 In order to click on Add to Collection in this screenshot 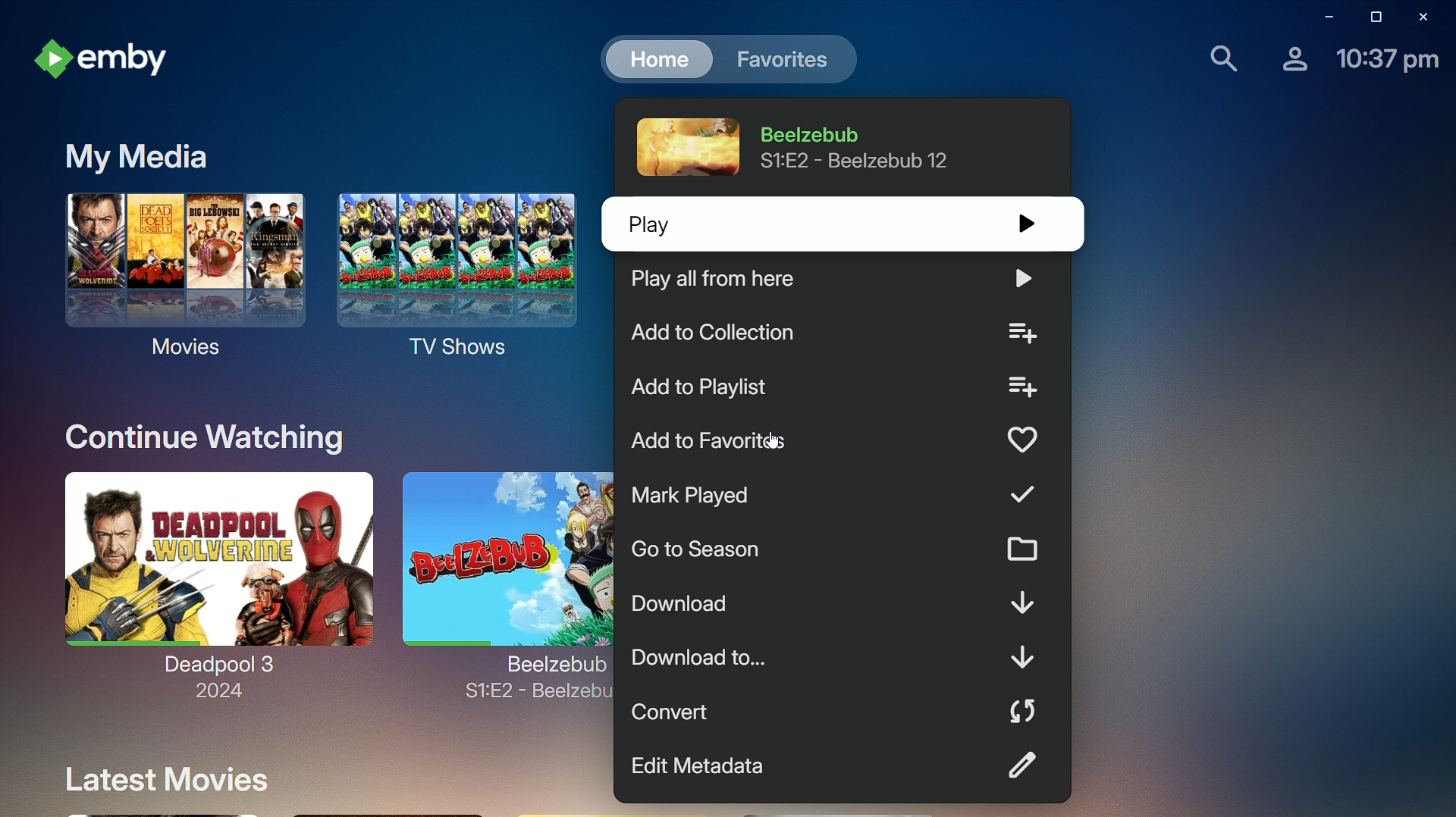, I will do `click(836, 333)`.